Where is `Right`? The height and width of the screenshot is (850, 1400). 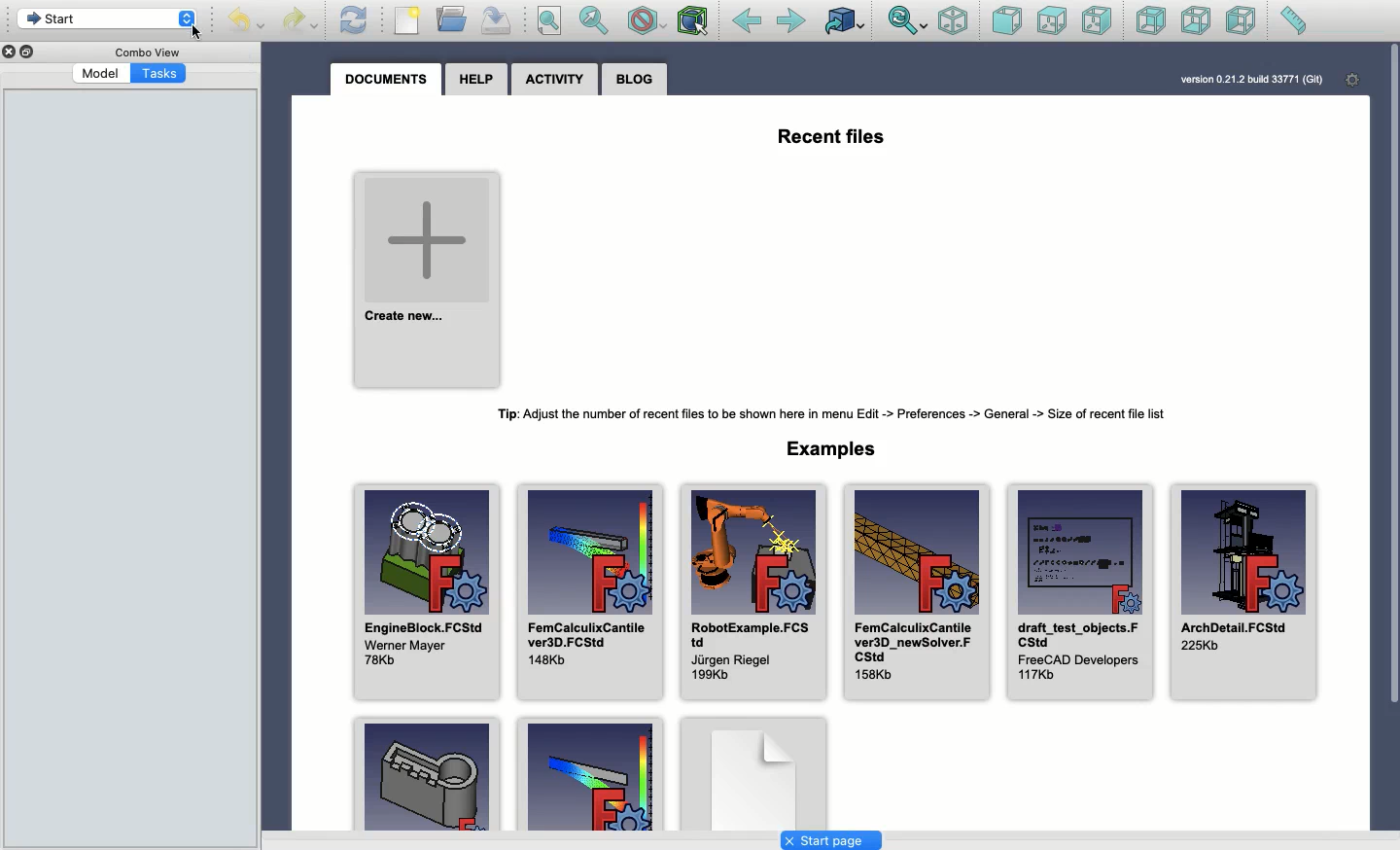 Right is located at coordinates (1100, 20).